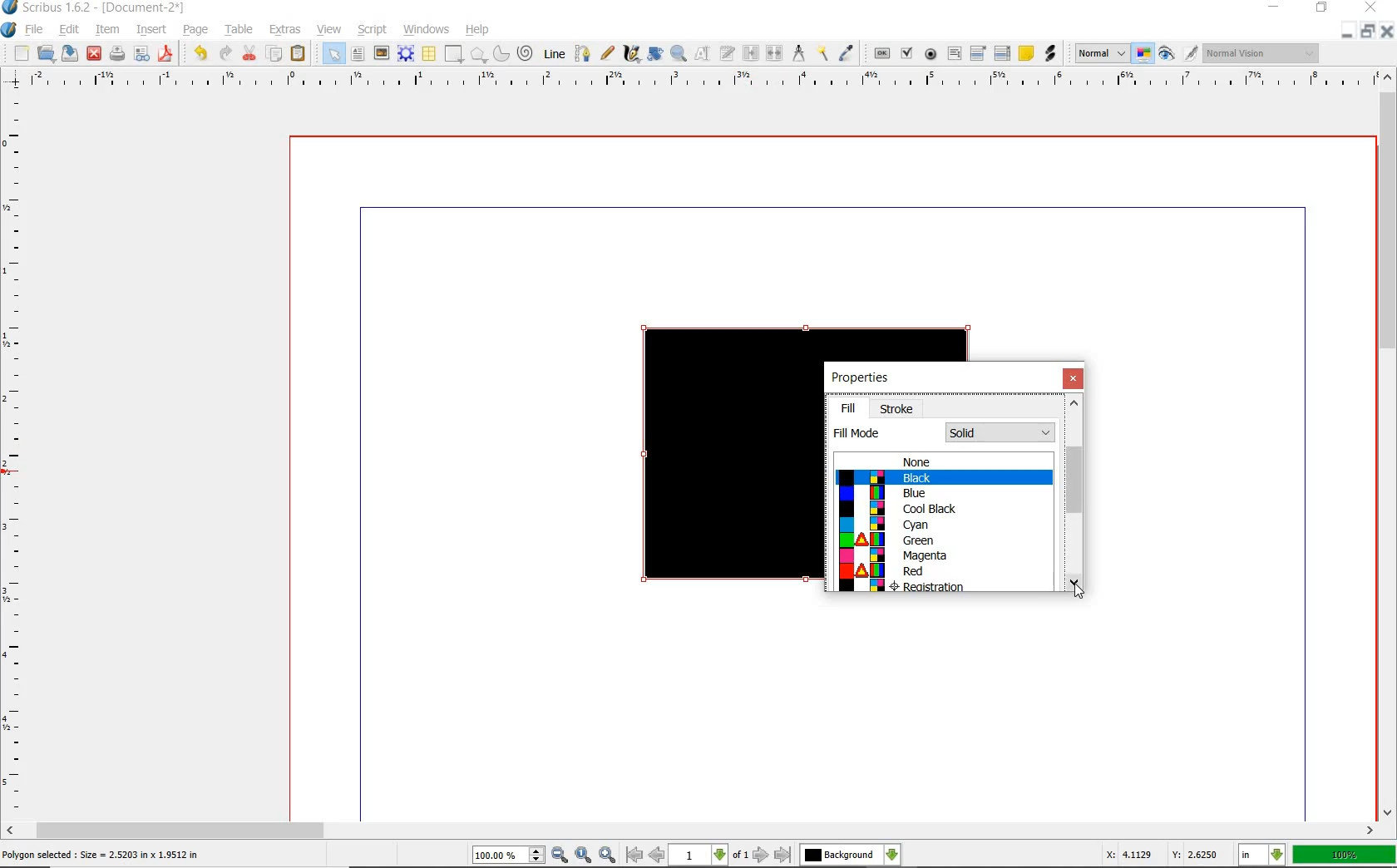 The width and height of the screenshot is (1397, 868). What do you see at coordinates (249, 55) in the screenshot?
I see `cut` at bounding box center [249, 55].